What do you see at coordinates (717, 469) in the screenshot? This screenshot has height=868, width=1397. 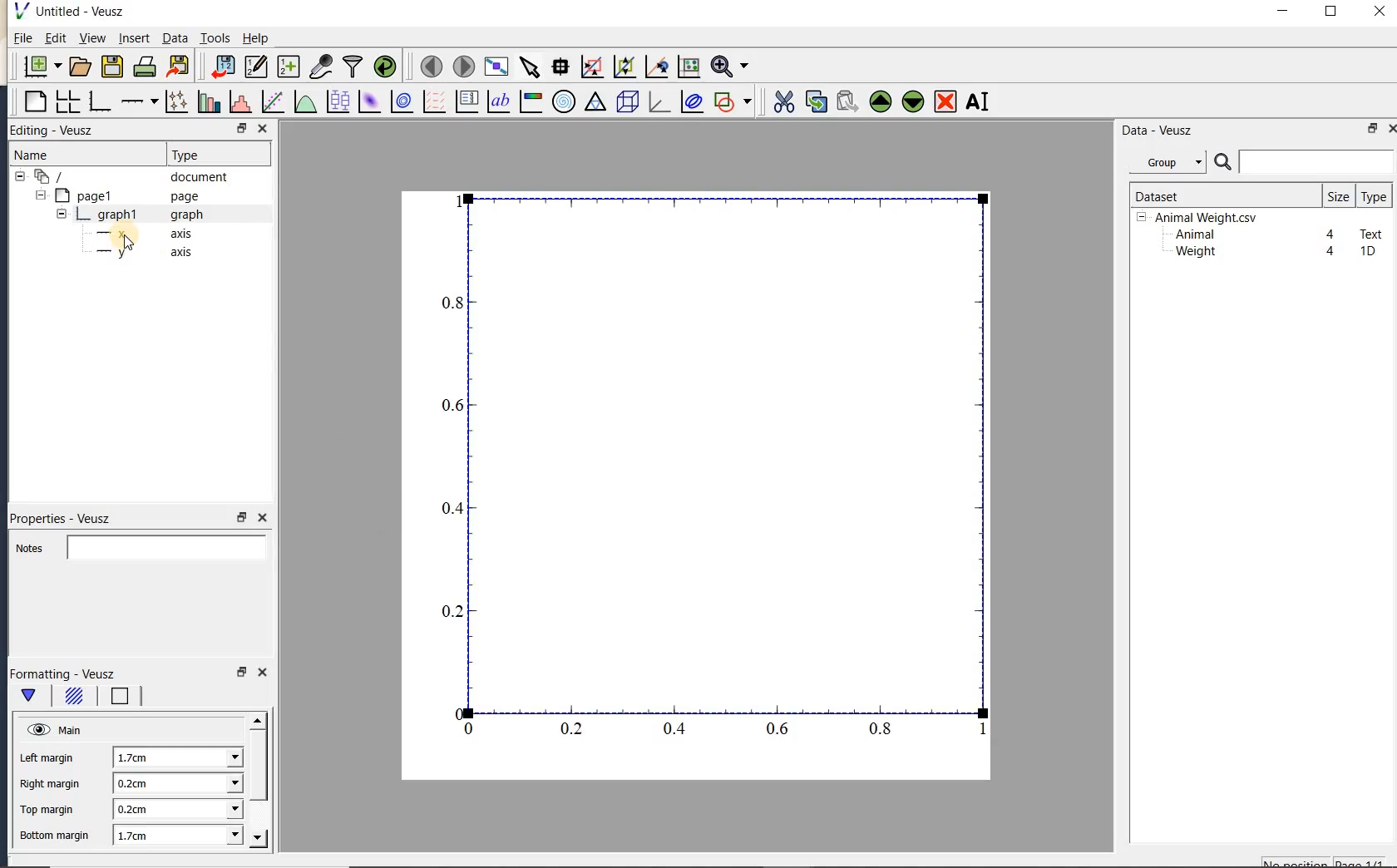 I see `graph` at bounding box center [717, 469].